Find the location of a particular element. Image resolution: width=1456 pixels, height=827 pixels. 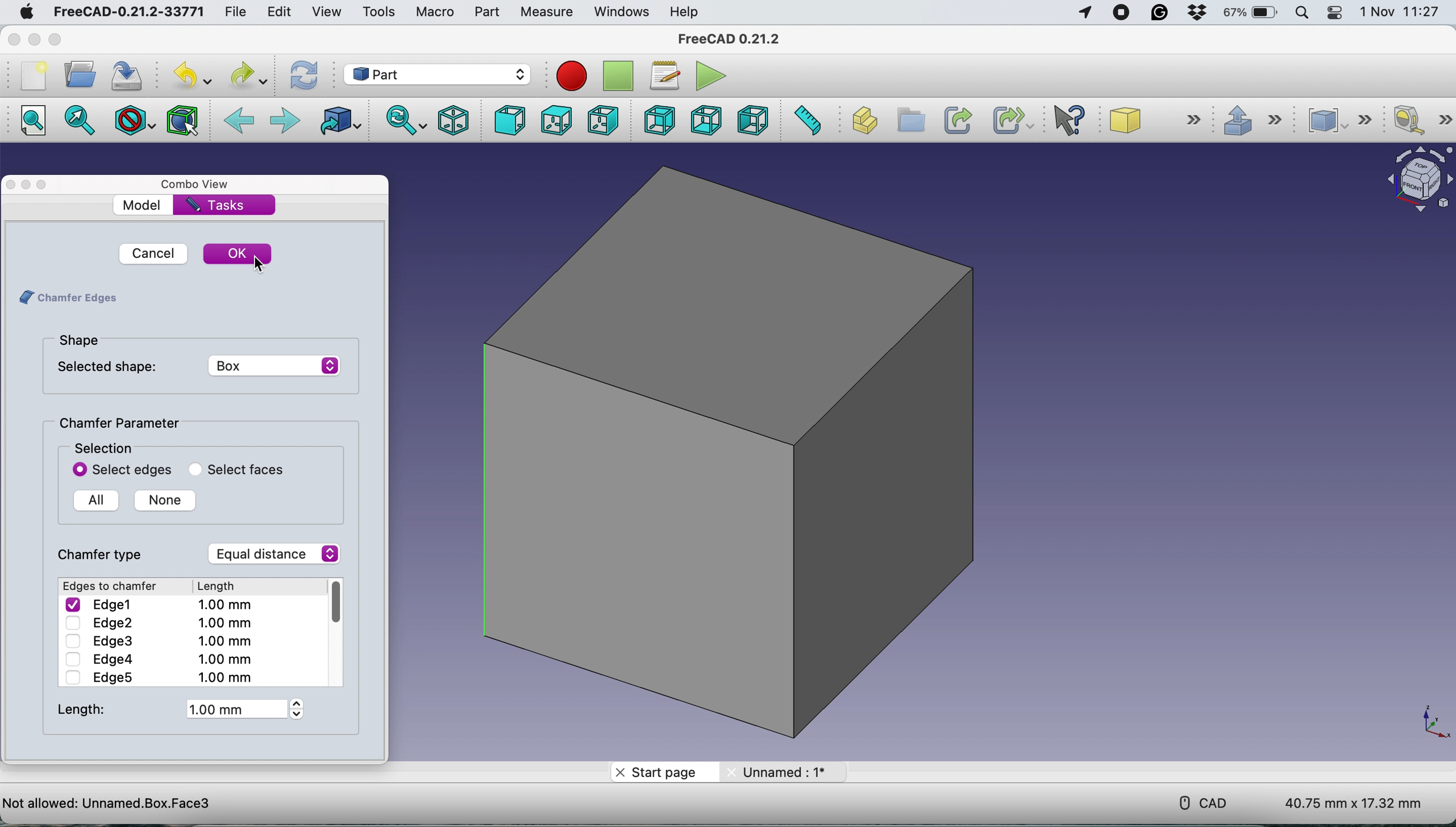

backward is located at coordinates (240, 119).